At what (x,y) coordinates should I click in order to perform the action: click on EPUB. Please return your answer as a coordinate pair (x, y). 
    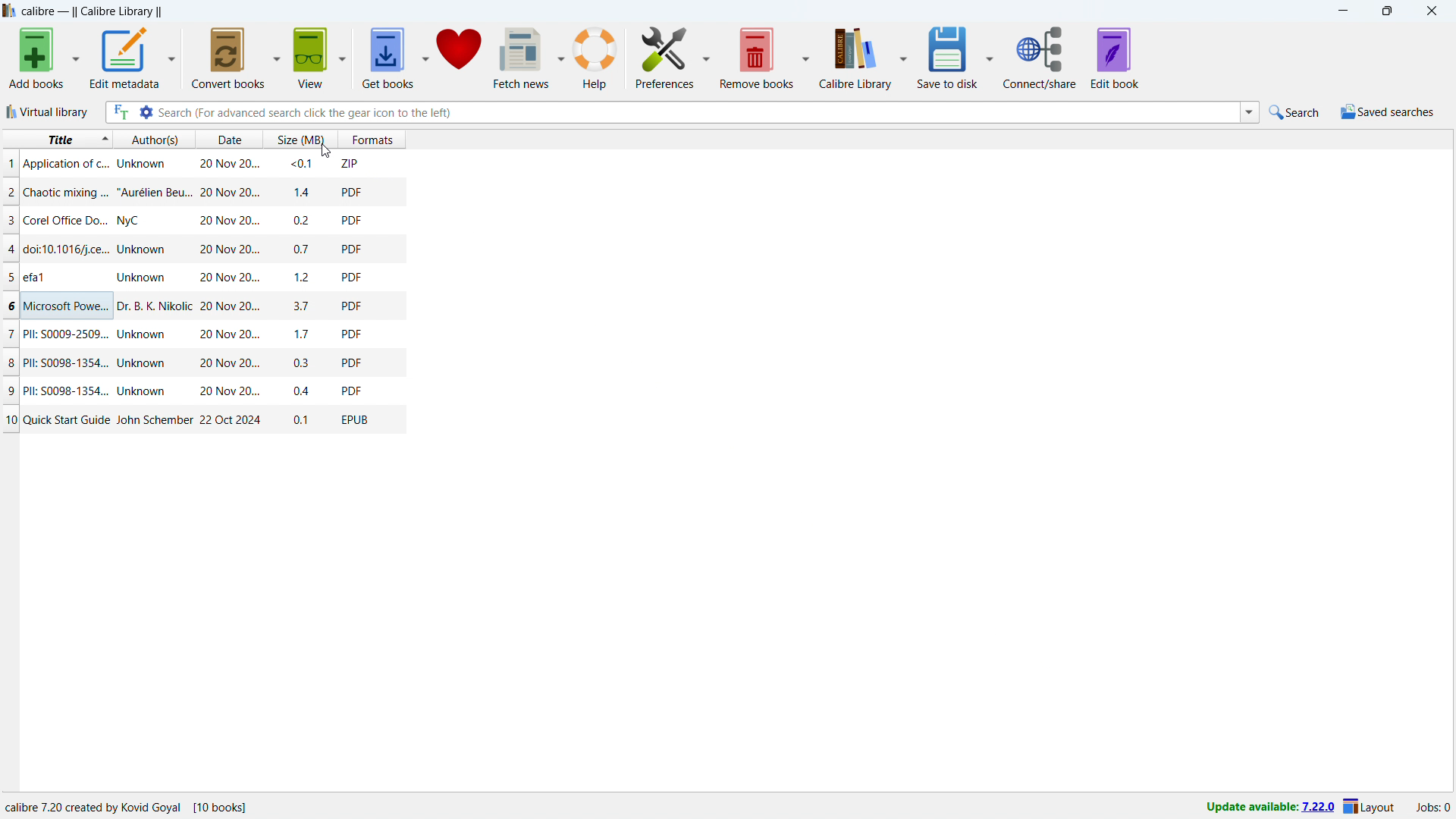
    Looking at the image, I should click on (355, 419).